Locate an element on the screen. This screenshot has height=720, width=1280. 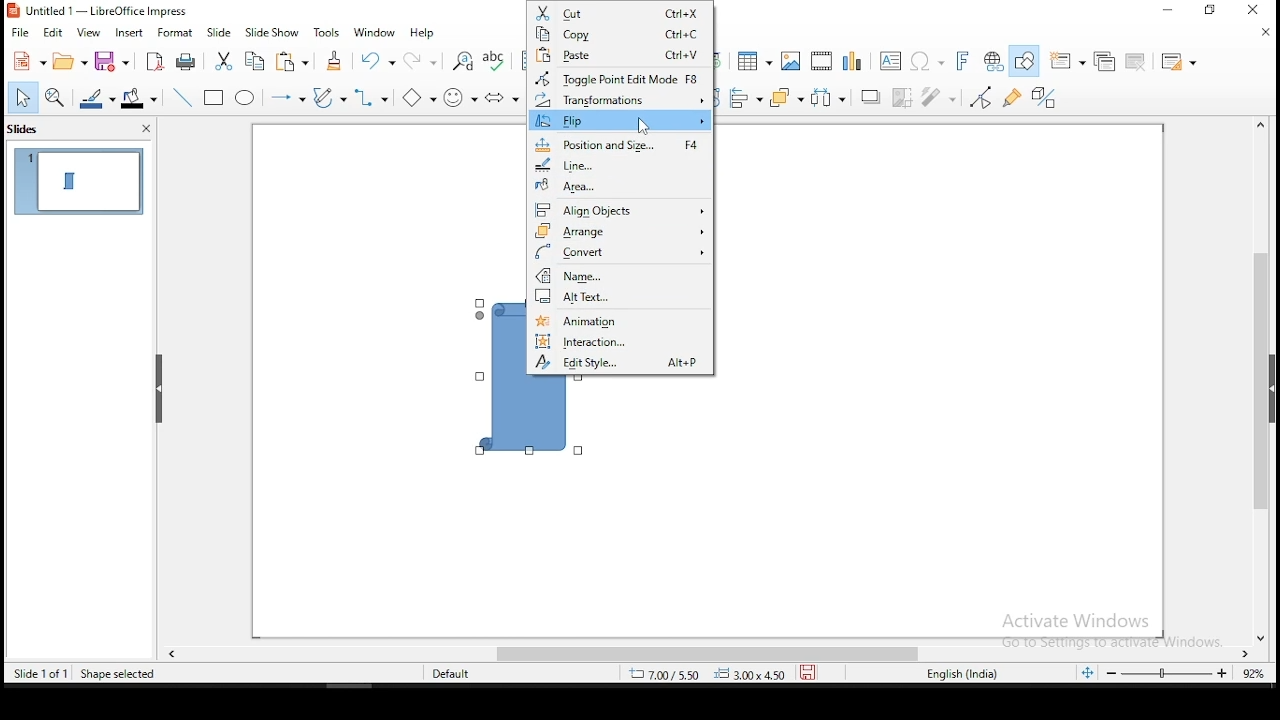
insert font work text is located at coordinates (963, 61).